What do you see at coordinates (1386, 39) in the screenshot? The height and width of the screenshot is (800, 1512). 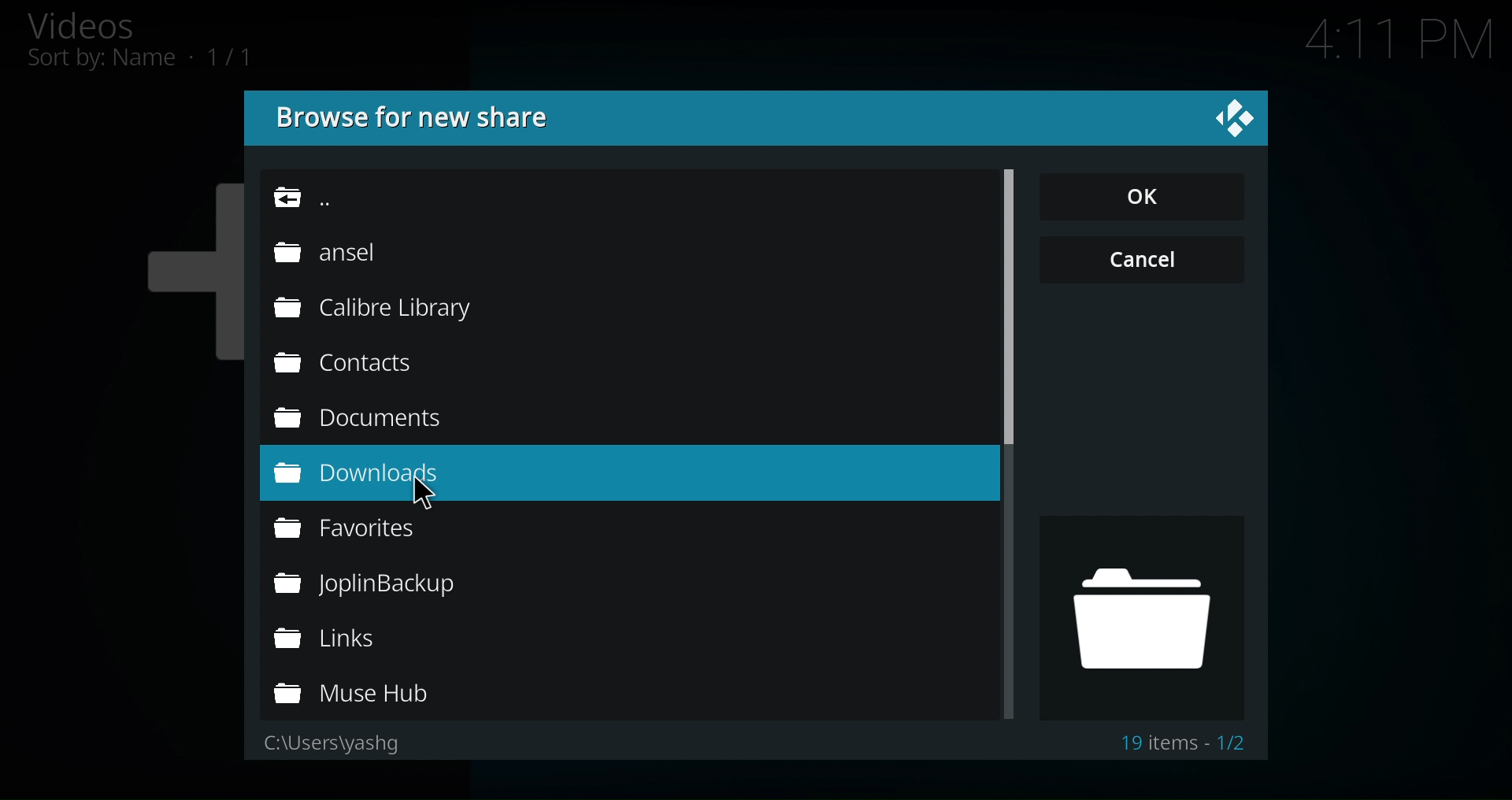 I see `4:11 PM` at bounding box center [1386, 39].